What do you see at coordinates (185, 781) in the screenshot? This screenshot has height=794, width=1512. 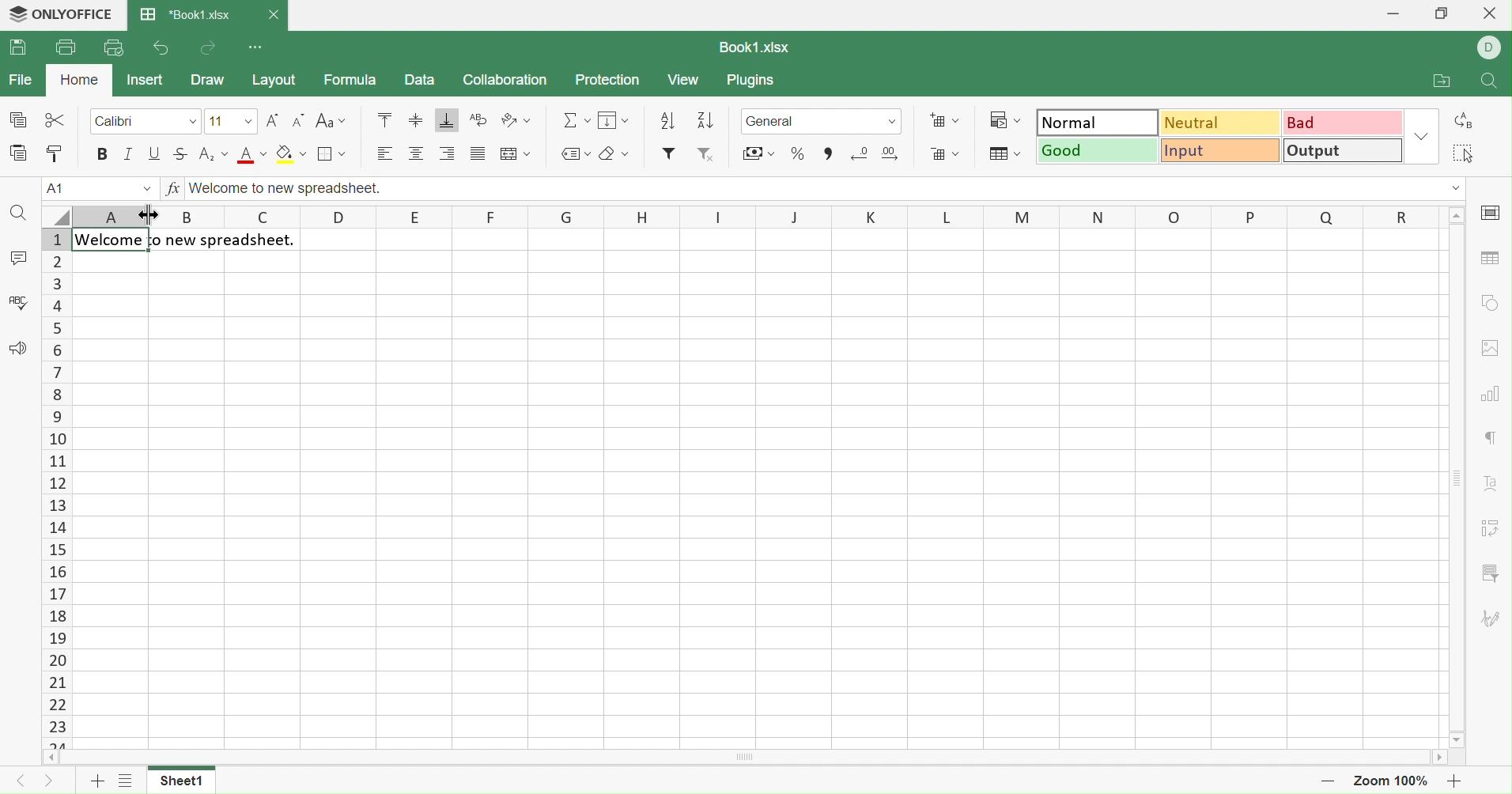 I see `Sheet1` at bounding box center [185, 781].